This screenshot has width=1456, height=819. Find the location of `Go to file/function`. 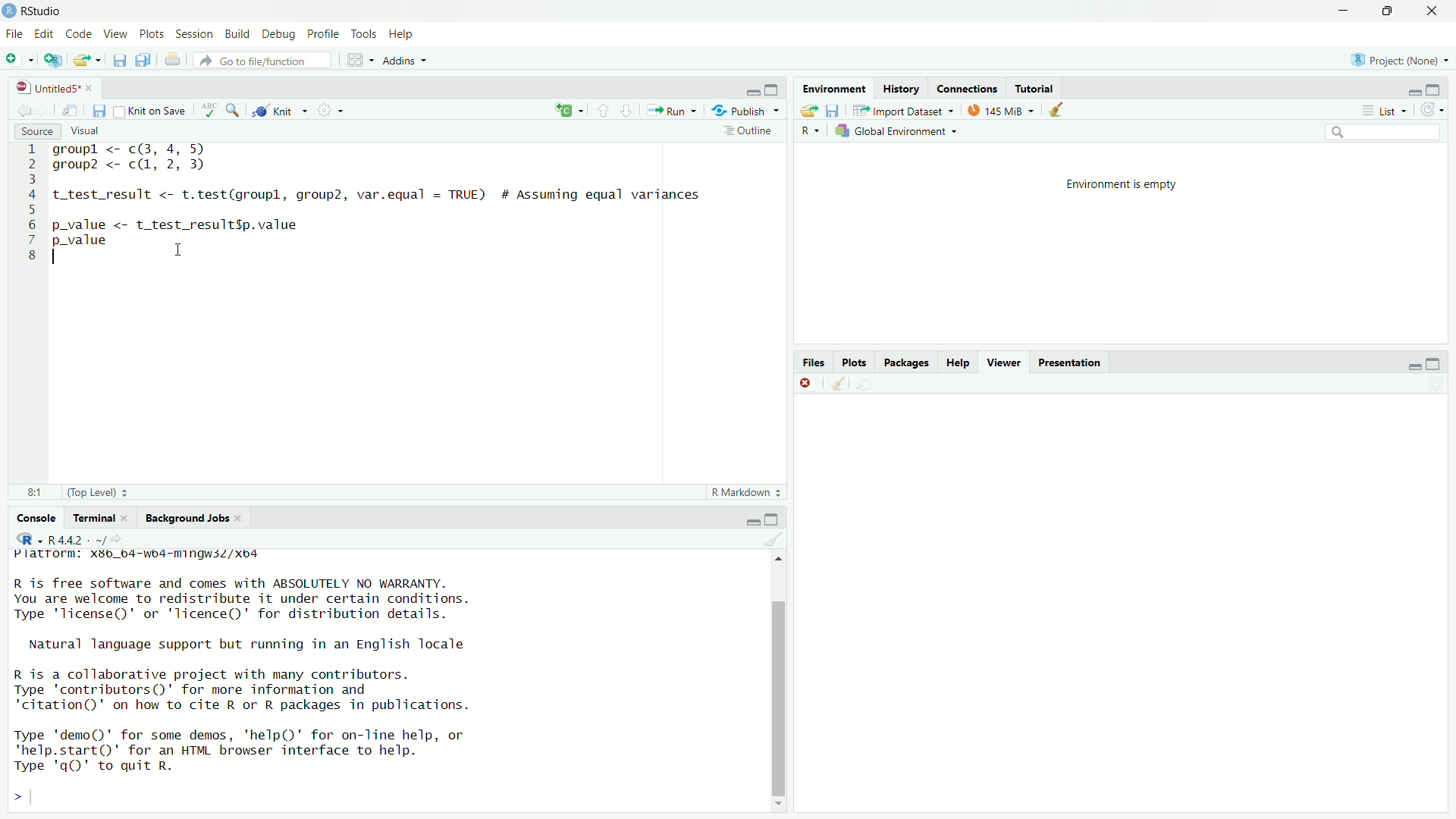

Go to file/function is located at coordinates (265, 61).